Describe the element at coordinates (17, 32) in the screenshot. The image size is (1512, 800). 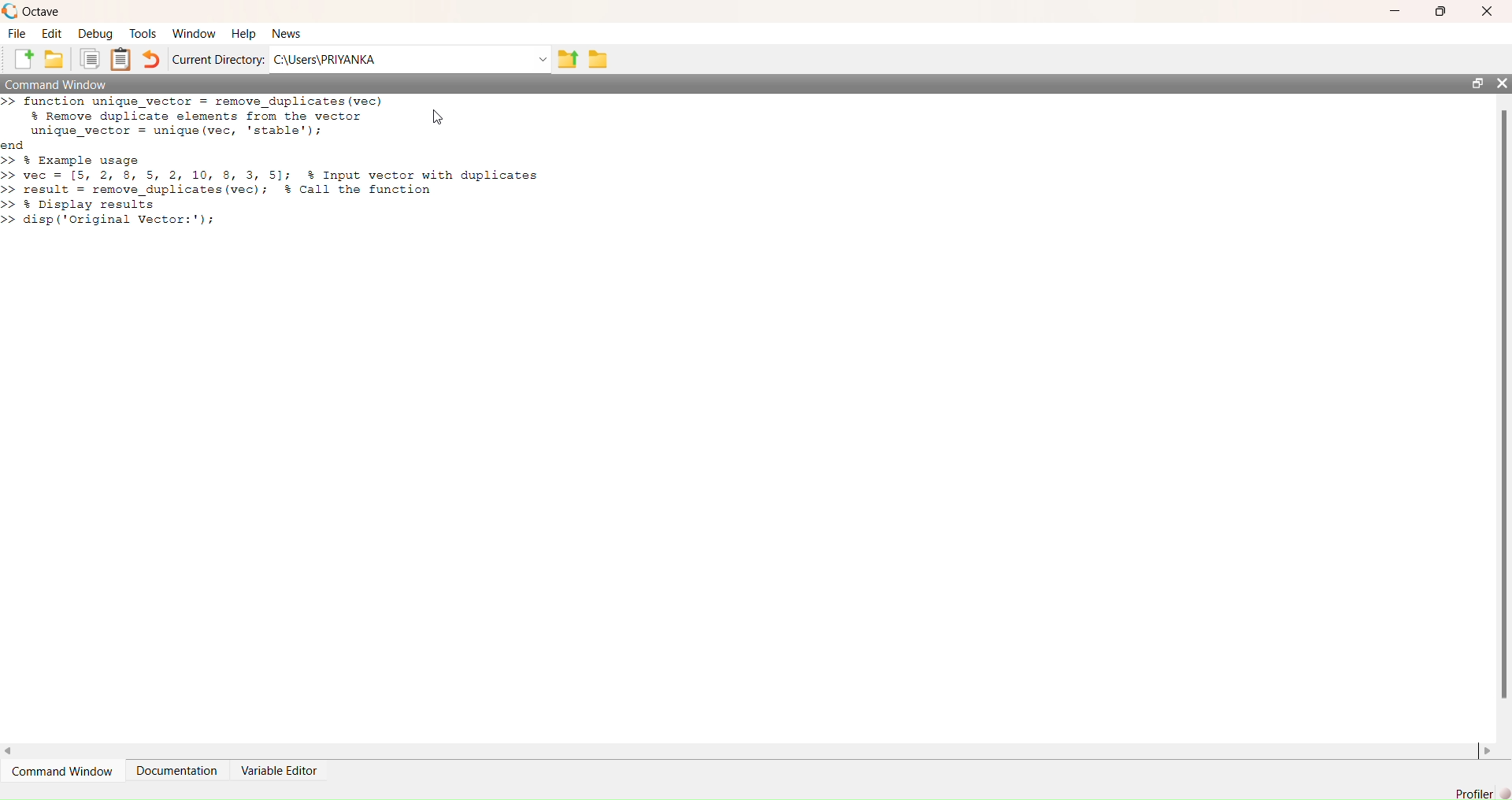
I see `file` at that location.